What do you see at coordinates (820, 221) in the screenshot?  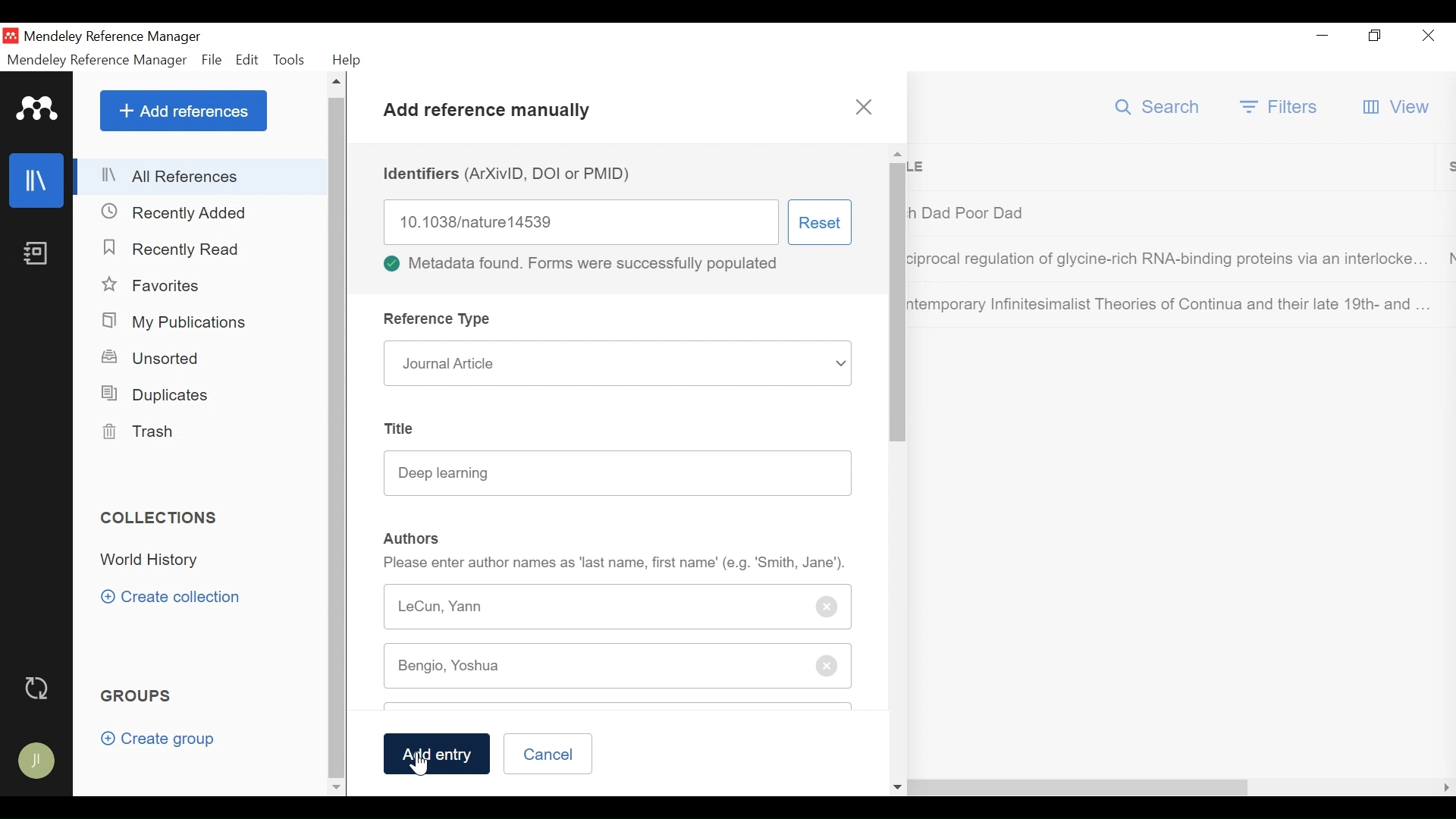 I see `Reset` at bounding box center [820, 221].